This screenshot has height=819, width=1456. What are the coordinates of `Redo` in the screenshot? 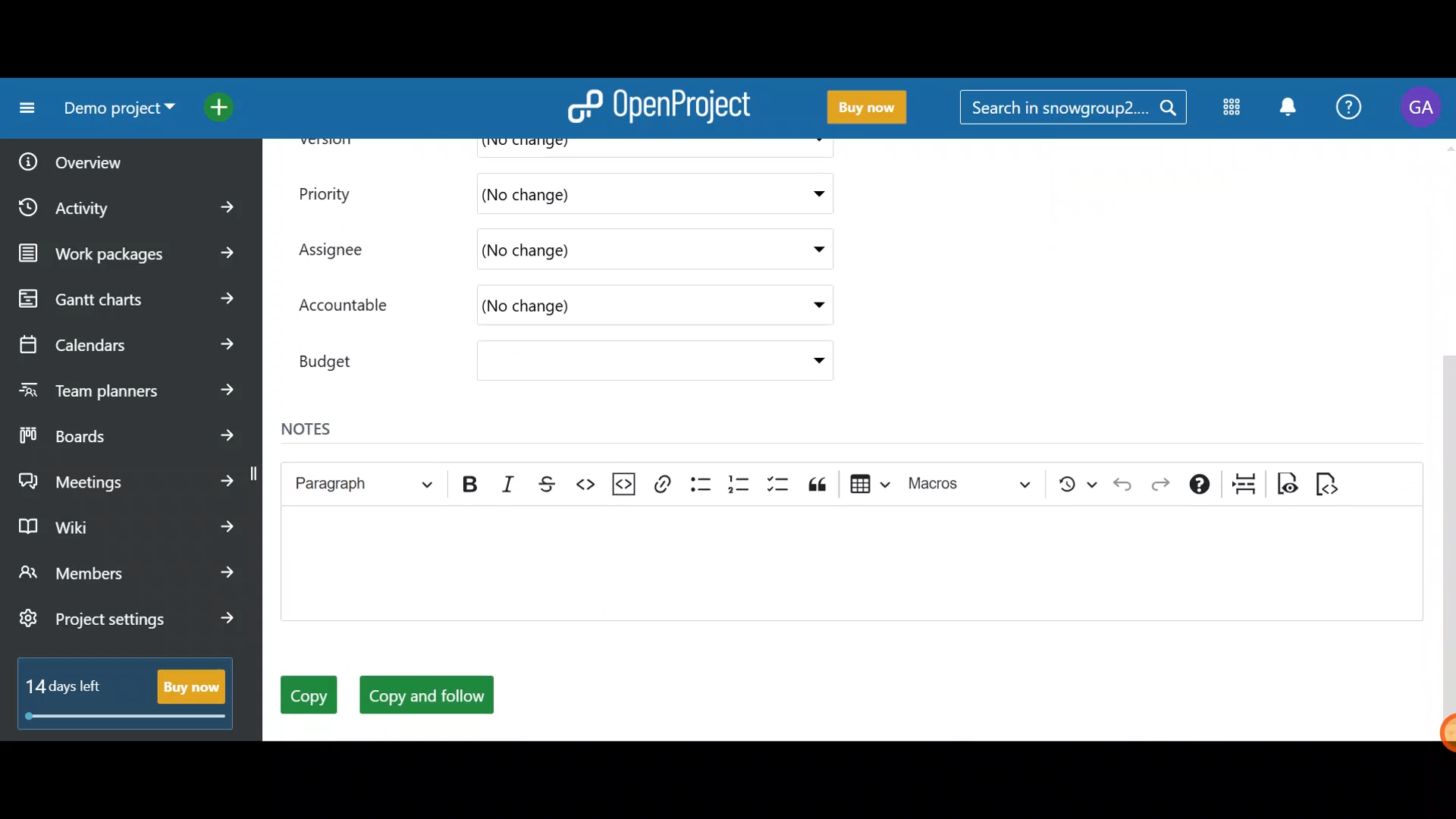 It's located at (1161, 488).